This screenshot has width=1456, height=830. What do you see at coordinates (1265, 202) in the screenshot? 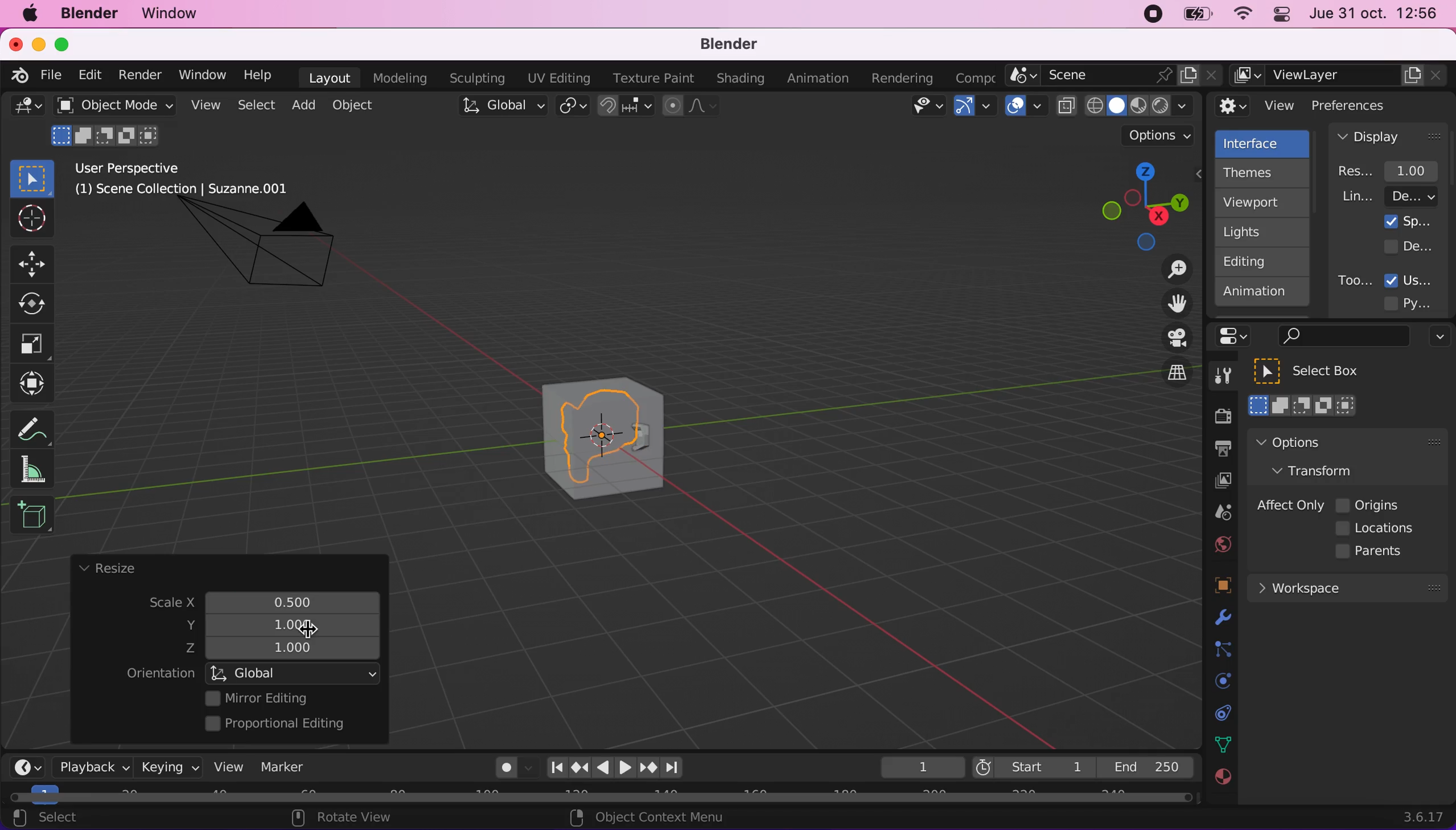
I see `viewport` at bounding box center [1265, 202].